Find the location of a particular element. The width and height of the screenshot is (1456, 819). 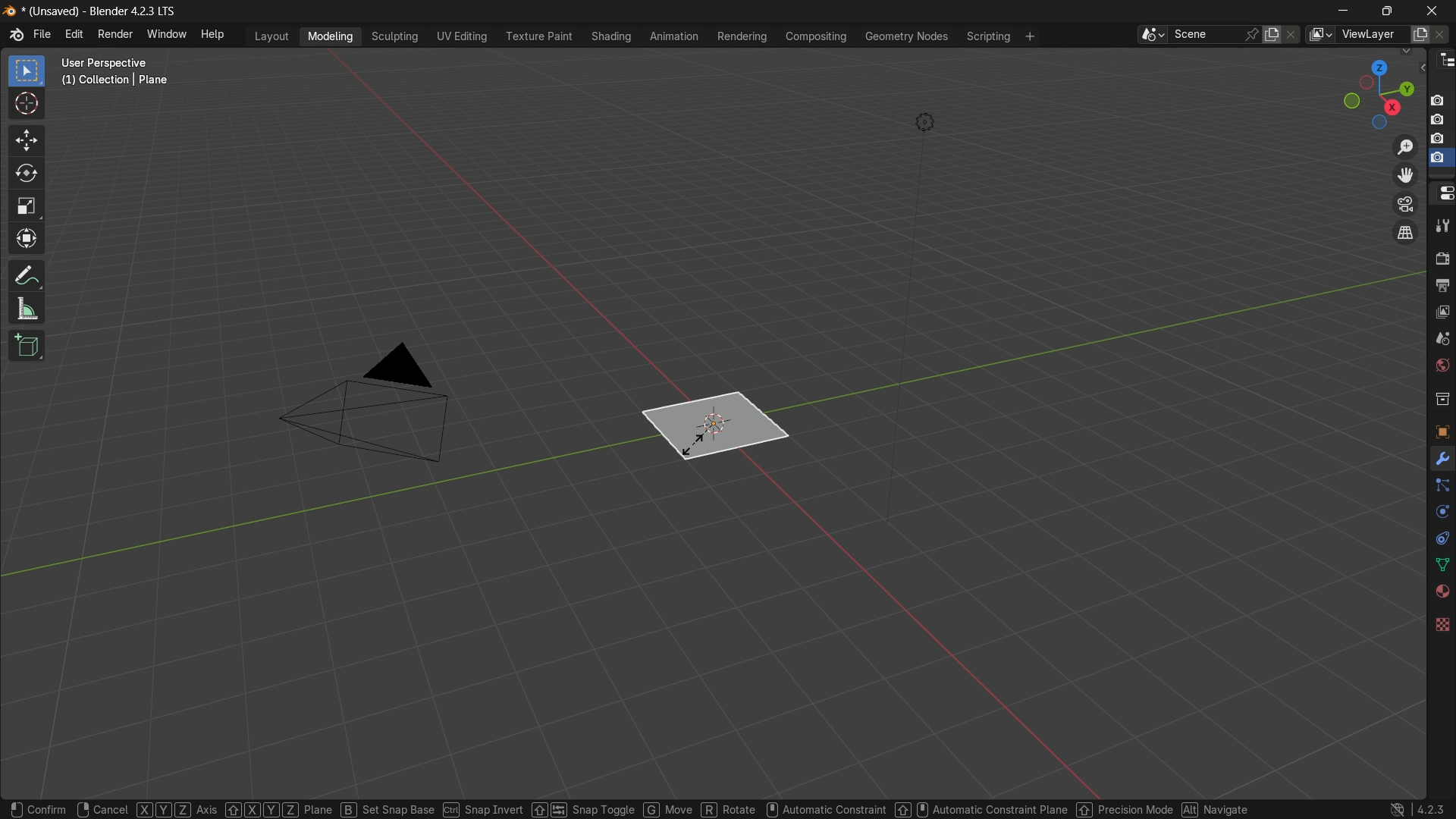

layout is located at coordinates (275, 35).